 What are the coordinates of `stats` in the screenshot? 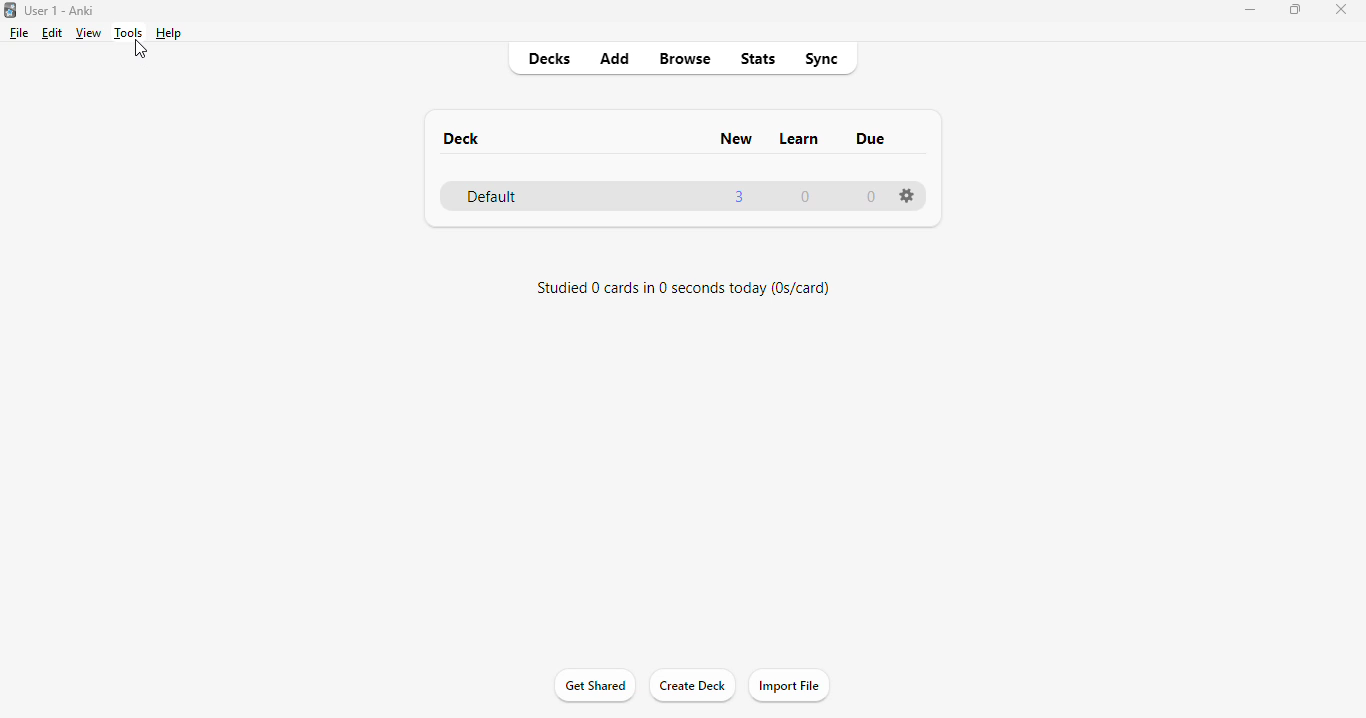 It's located at (759, 59).